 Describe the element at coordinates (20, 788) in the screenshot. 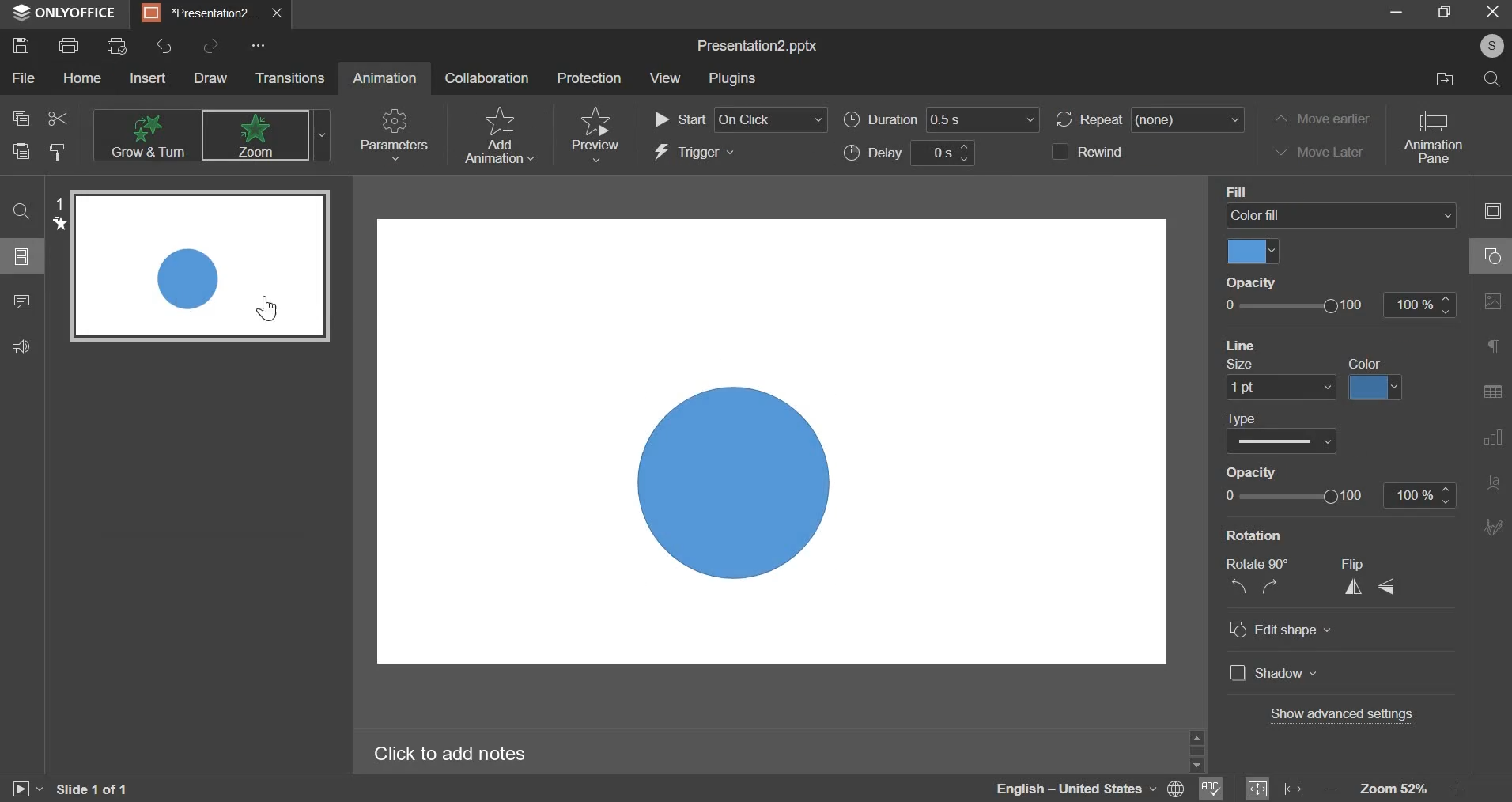

I see `play` at that location.